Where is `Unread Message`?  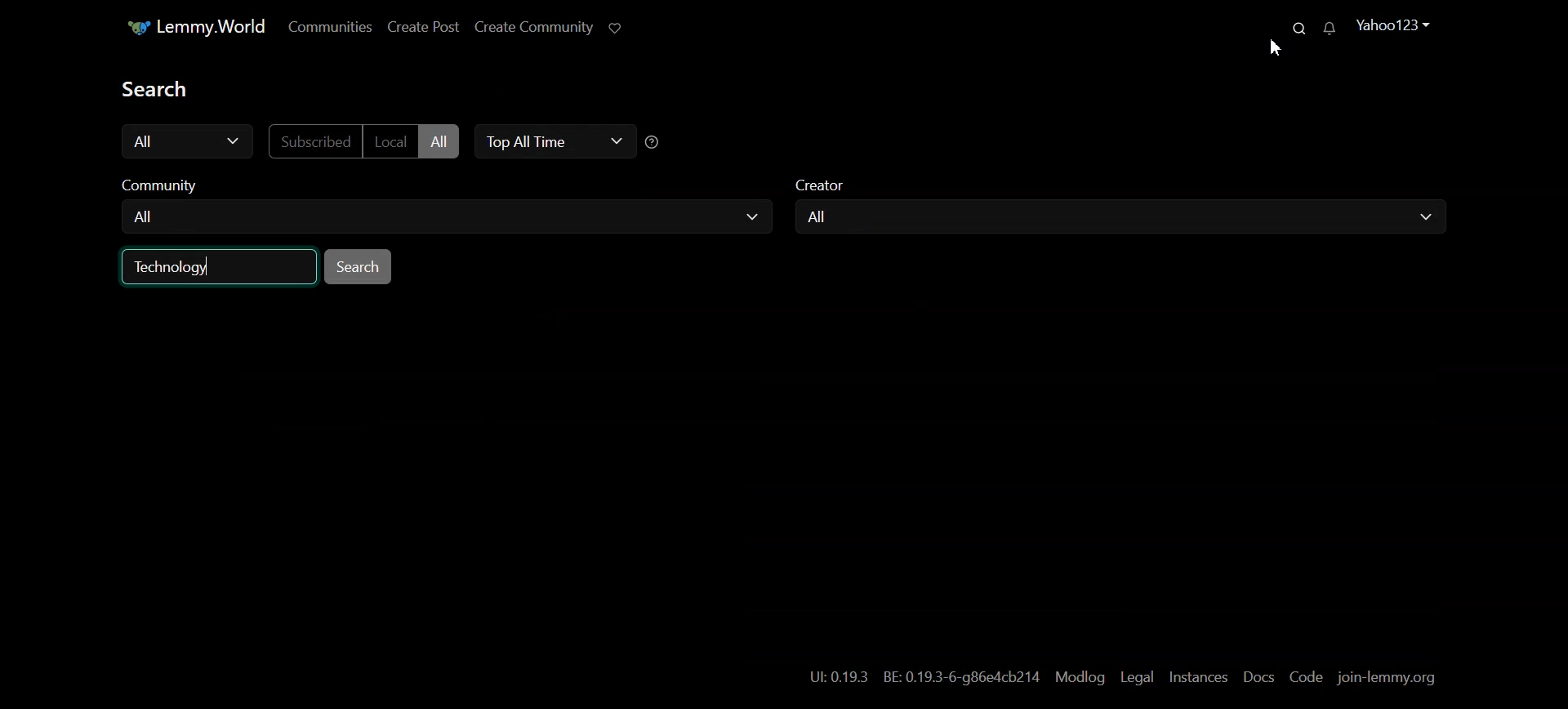
Unread Message is located at coordinates (1333, 29).